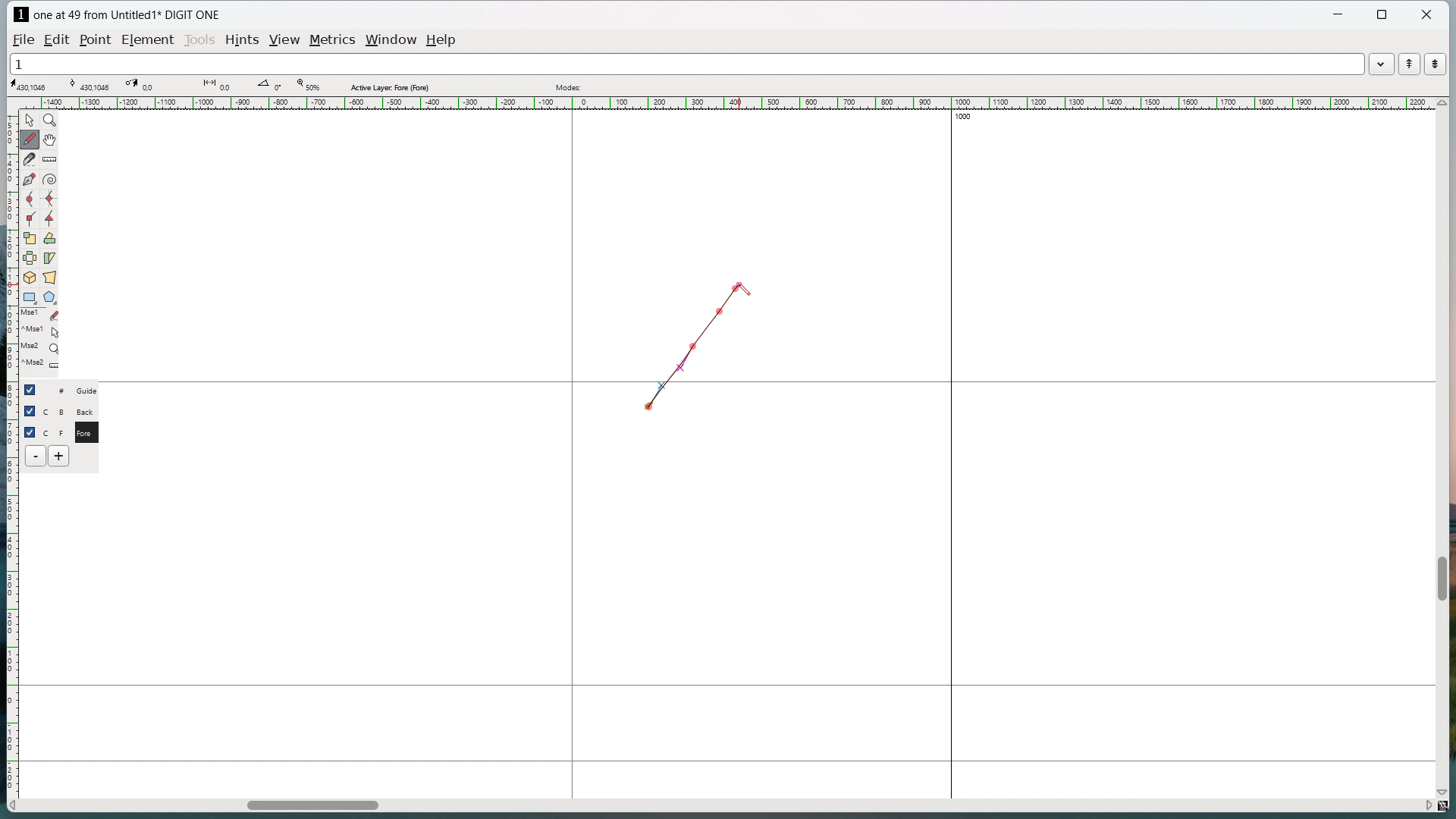  Describe the element at coordinates (442, 40) in the screenshot. I see `help` at that location.